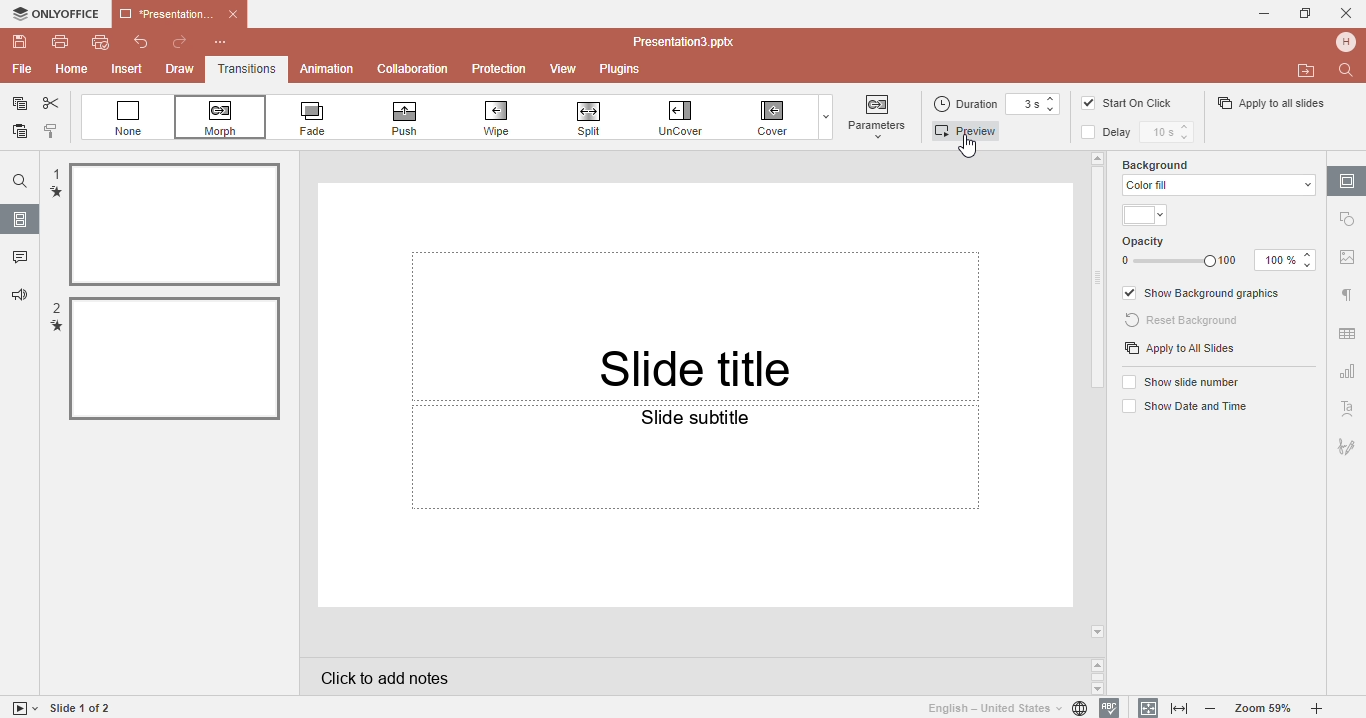 The height and width of the screenshot is (718, 1366). I want to click on Background, so click(1172, 163).